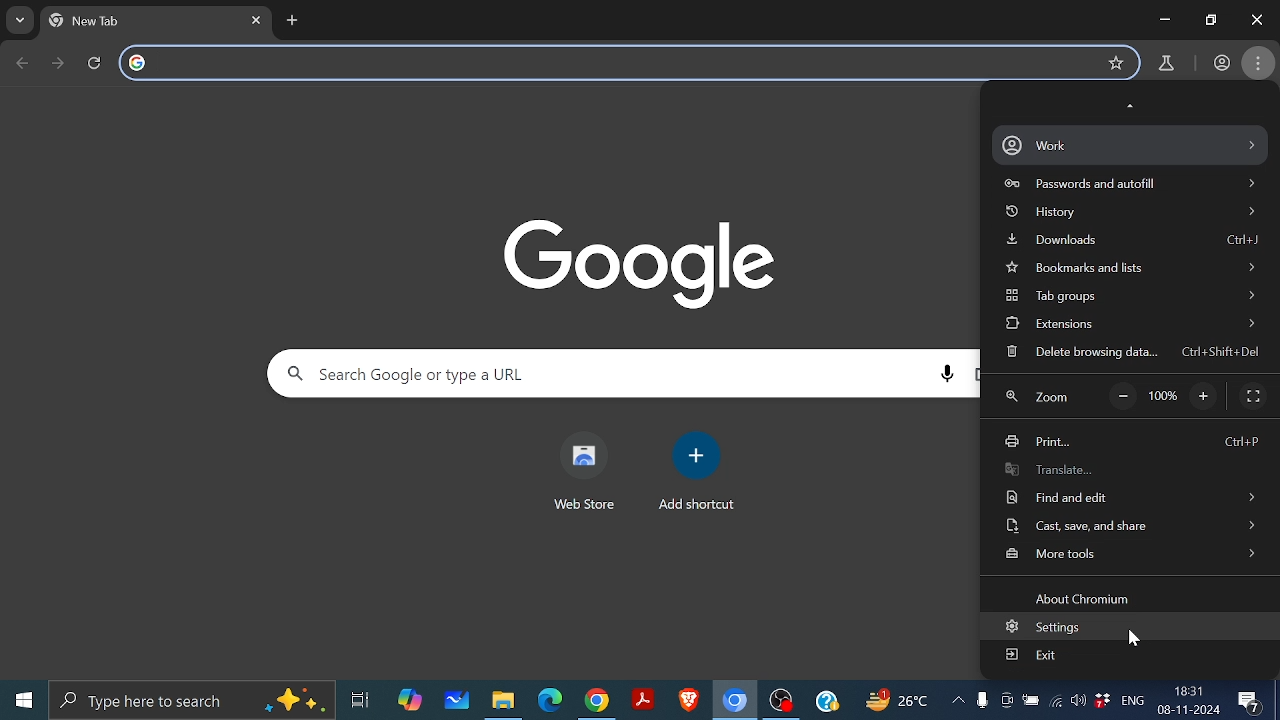 The image size is (1280, 720). I want to click on More tools, so click(1133, 554).